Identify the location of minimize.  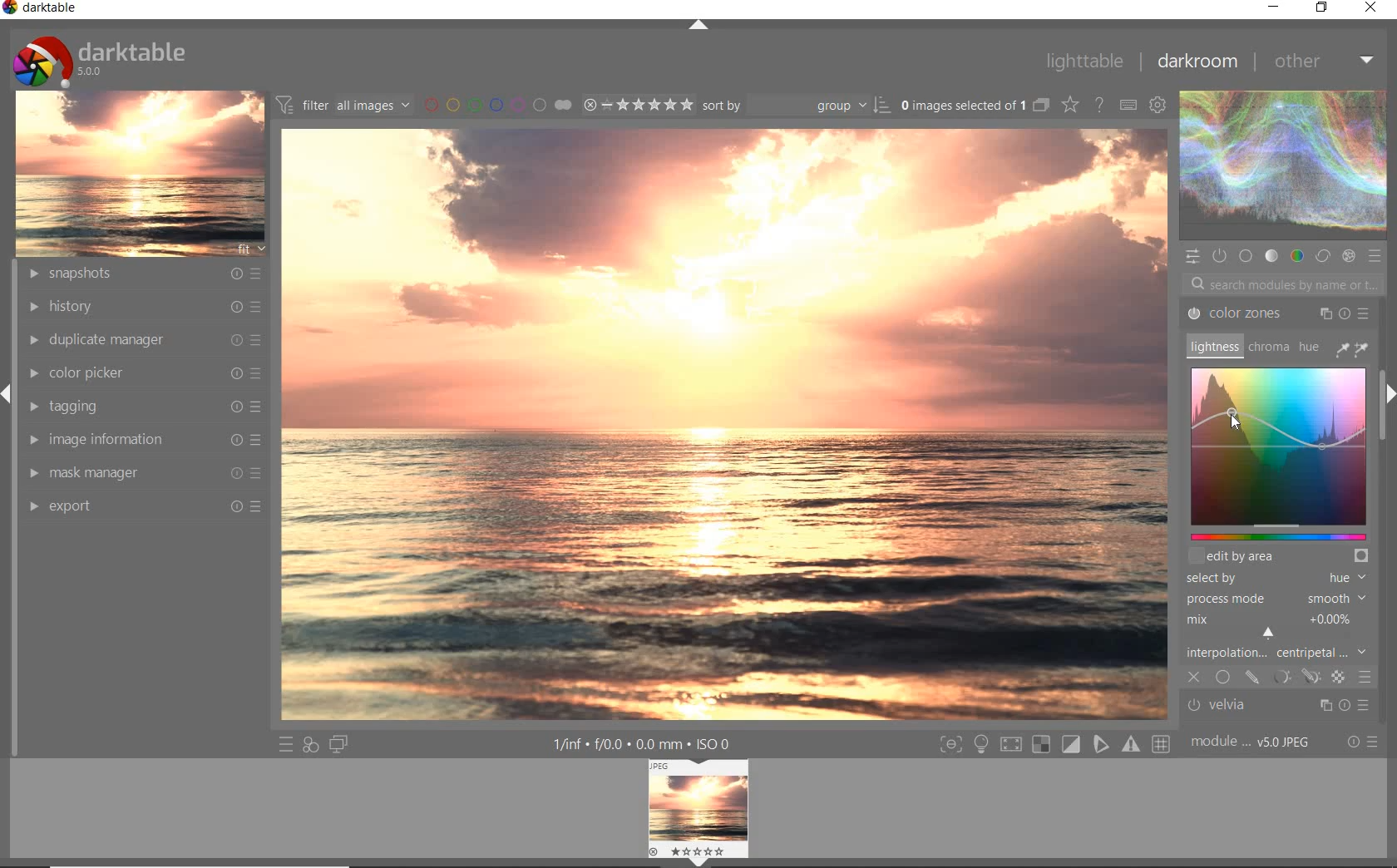
(1276, 6).